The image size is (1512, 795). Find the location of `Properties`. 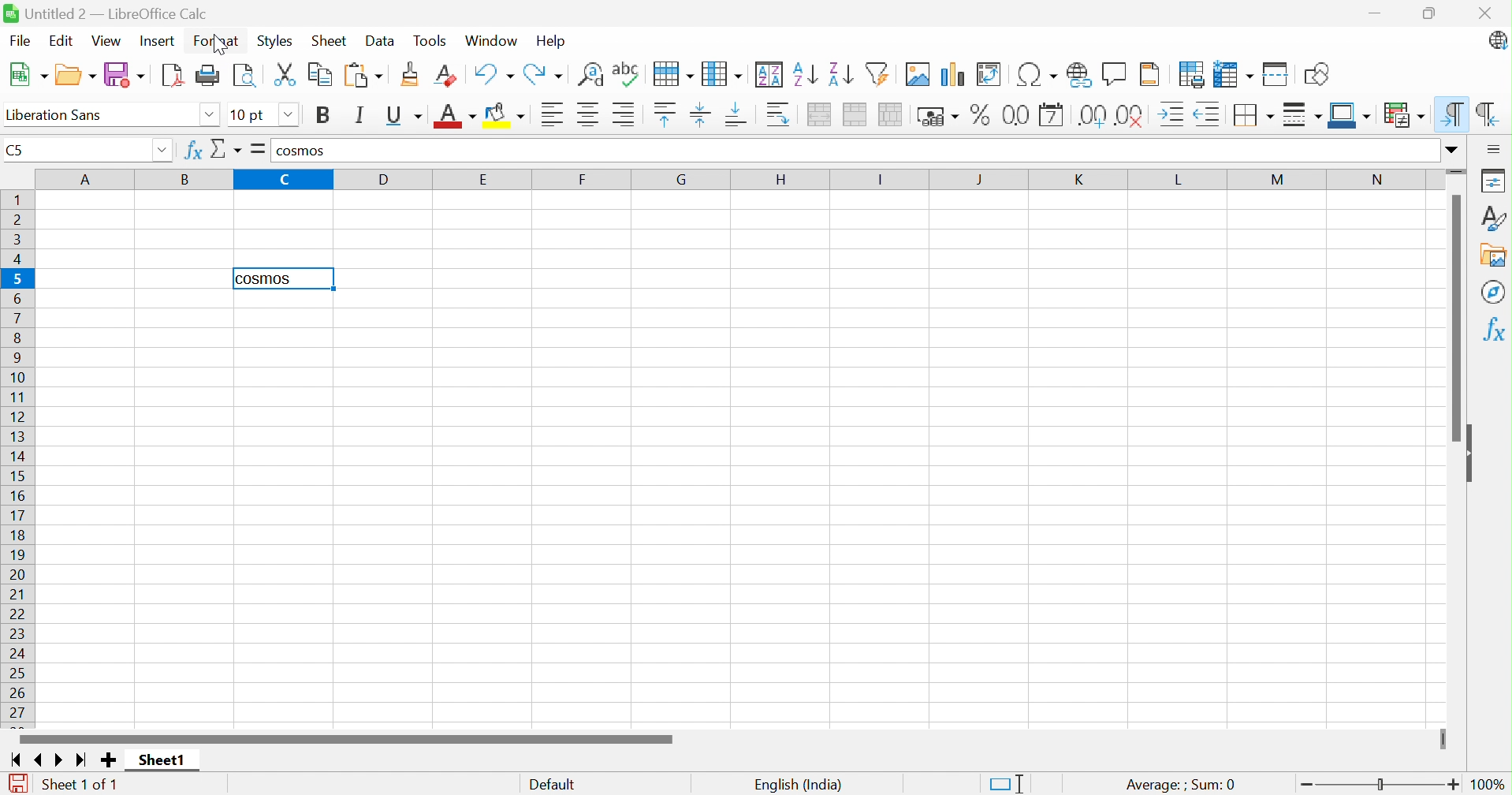

Properties is located at coordinates (1495, 181).